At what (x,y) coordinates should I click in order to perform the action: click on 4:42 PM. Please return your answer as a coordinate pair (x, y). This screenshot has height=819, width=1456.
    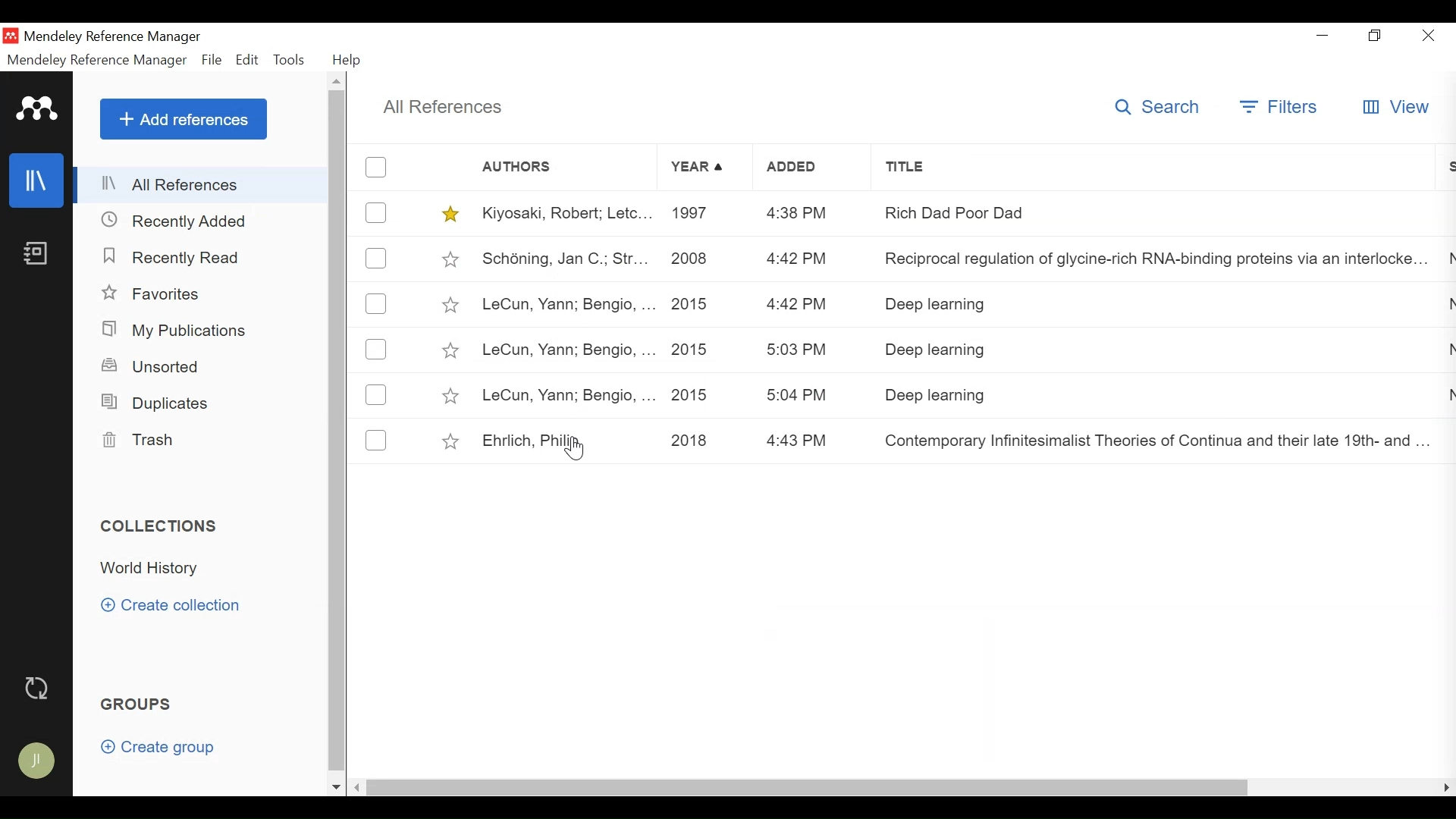
    Looking at the image, I should click on (796, 260).